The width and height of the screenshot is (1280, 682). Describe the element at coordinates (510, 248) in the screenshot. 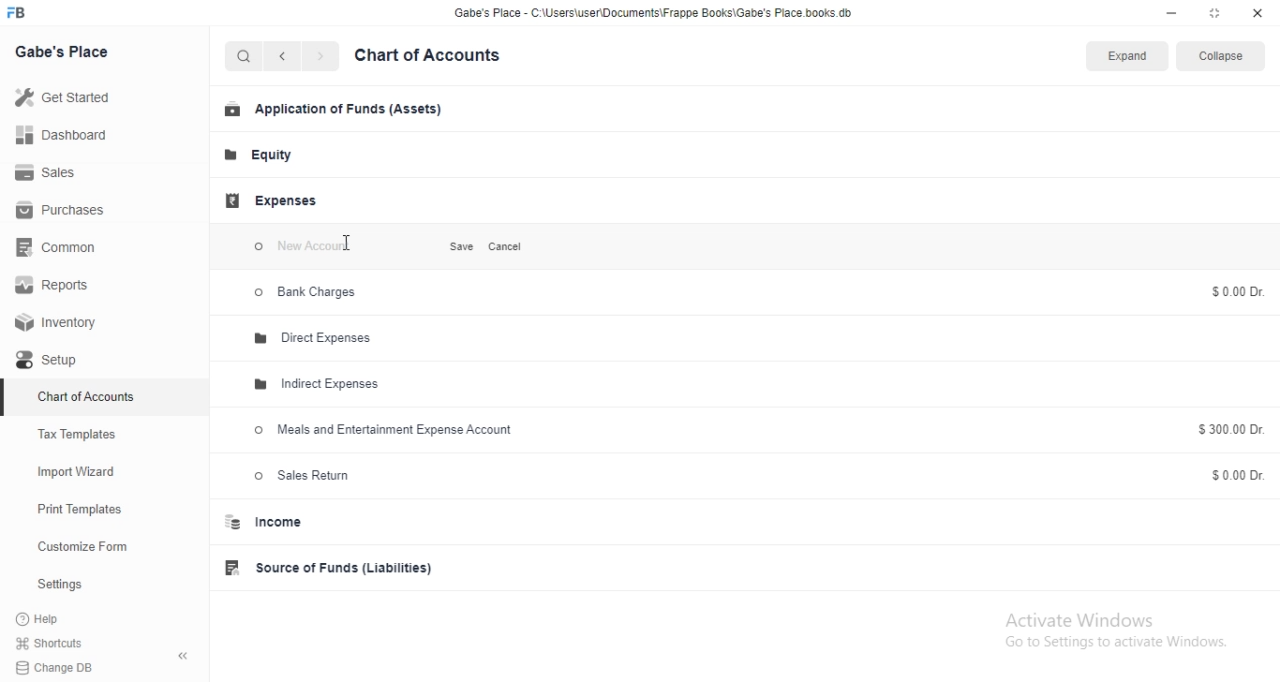

I see `Cancel` at that location.